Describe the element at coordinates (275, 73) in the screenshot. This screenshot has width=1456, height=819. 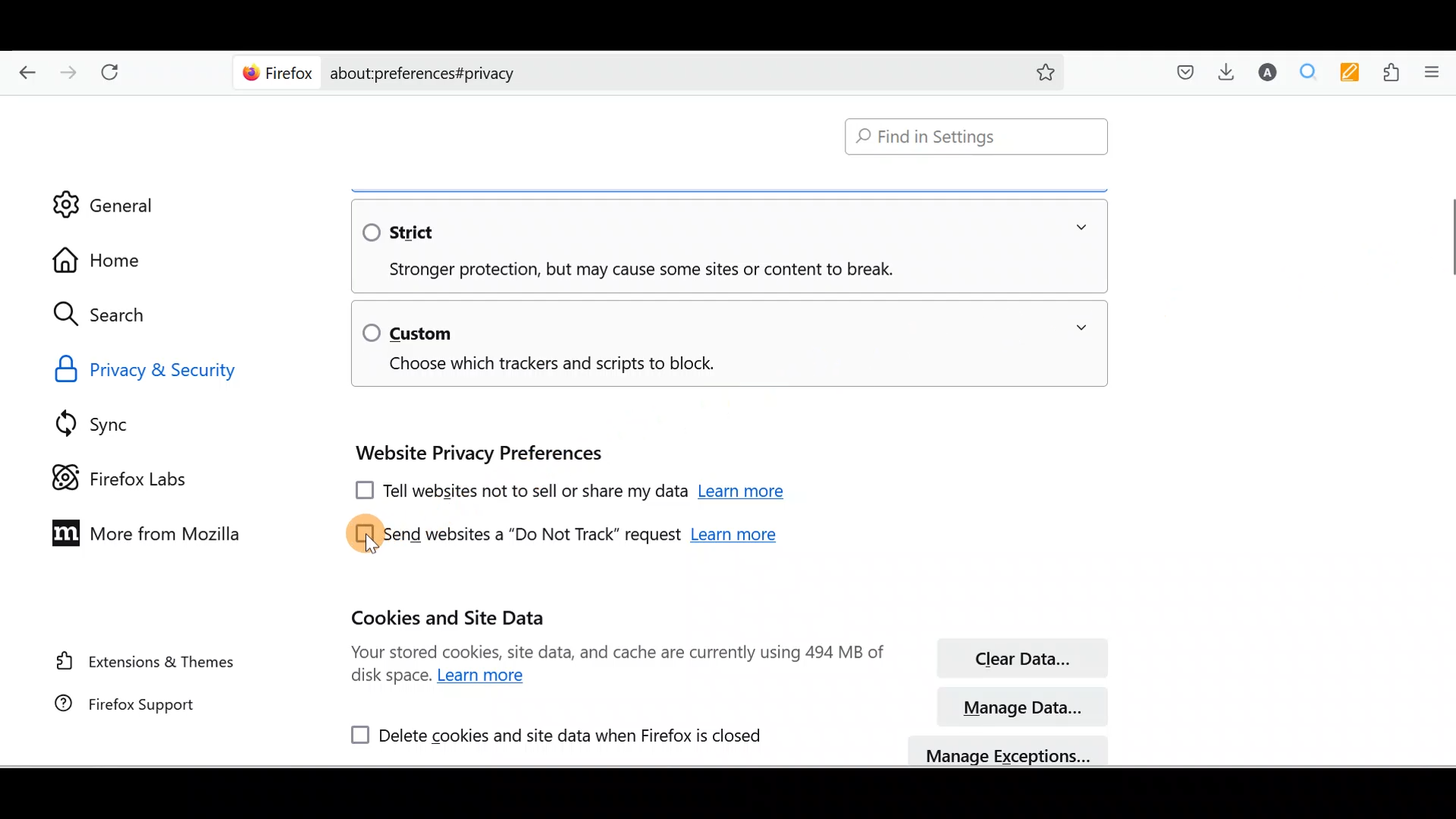
I see ` Firefox logo` at that location.